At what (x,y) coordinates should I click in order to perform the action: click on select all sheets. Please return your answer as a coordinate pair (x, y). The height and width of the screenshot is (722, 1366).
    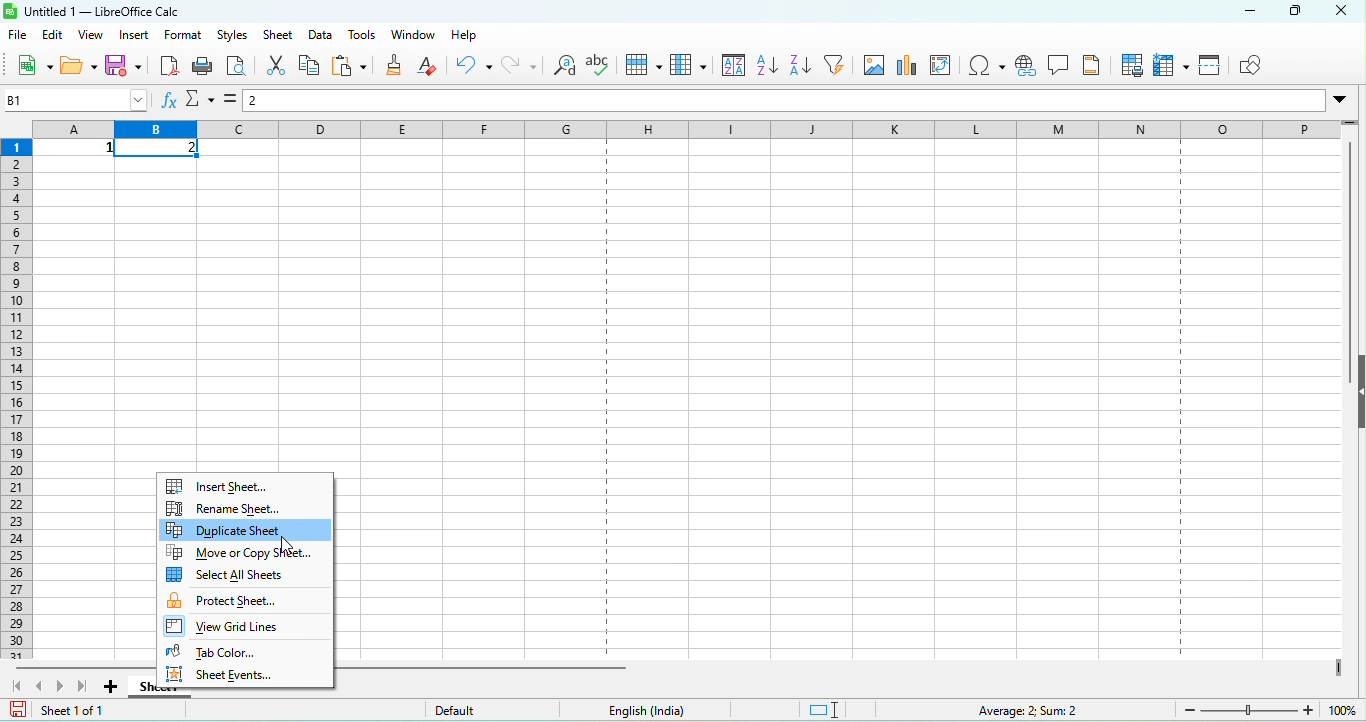
    Looking at the image, I should click on (246, 576).